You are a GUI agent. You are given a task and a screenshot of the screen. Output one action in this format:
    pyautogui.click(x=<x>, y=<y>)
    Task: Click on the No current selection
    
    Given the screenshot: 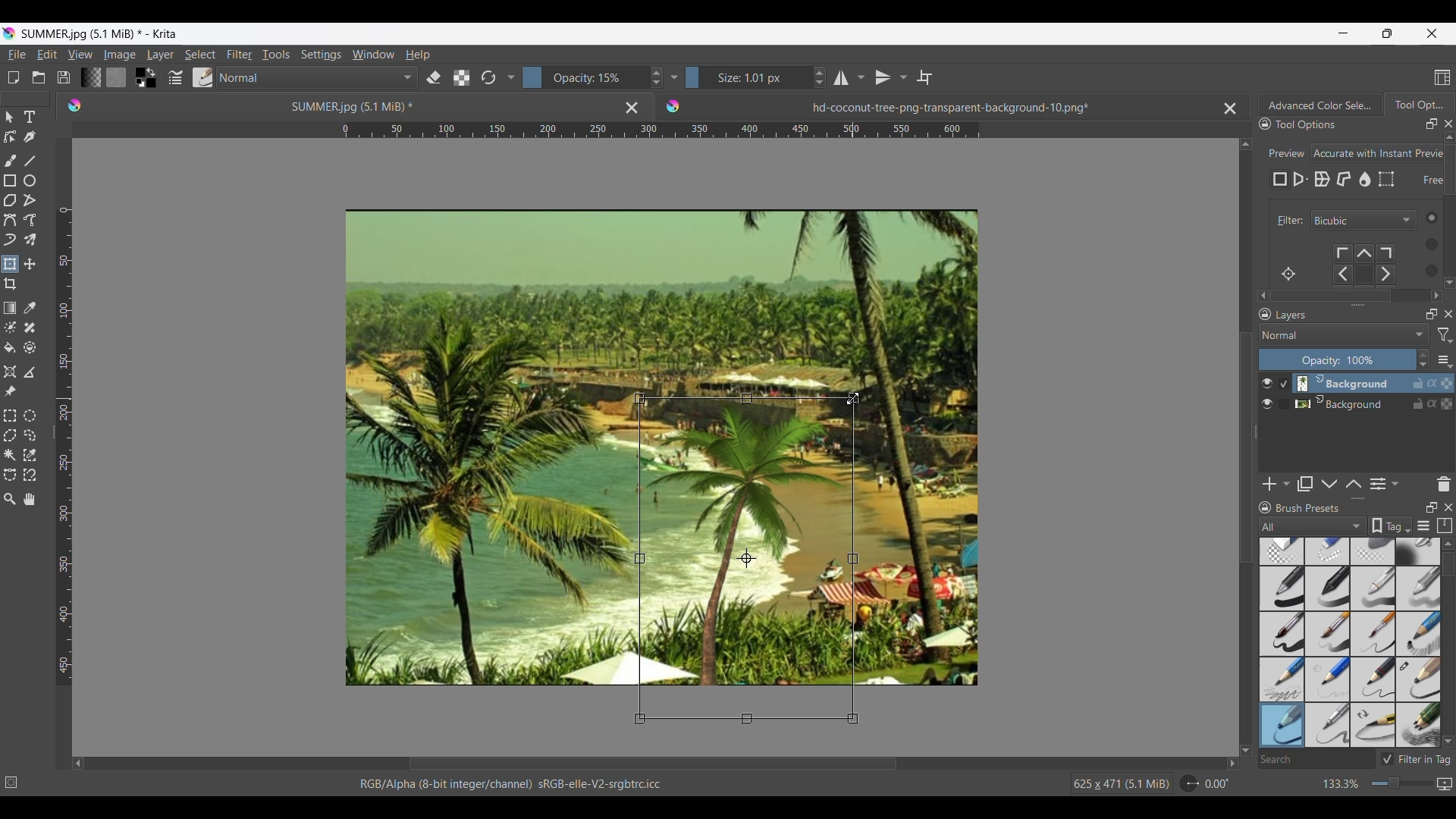 What is the action you would take?
    pyautogui.click(x=15, y=780)
    